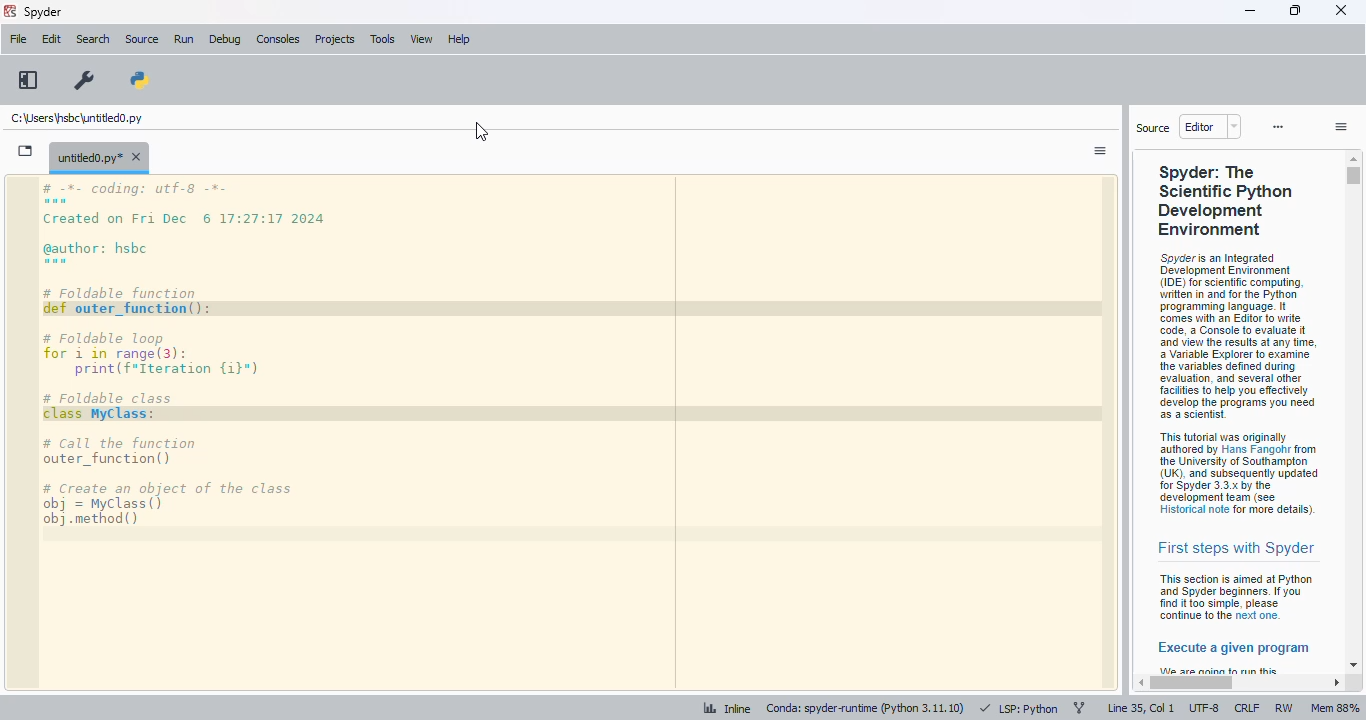  What do you see at coordinates (1278, 127) in the screenshot?
I see `more` at bounding box center [1278, 127].